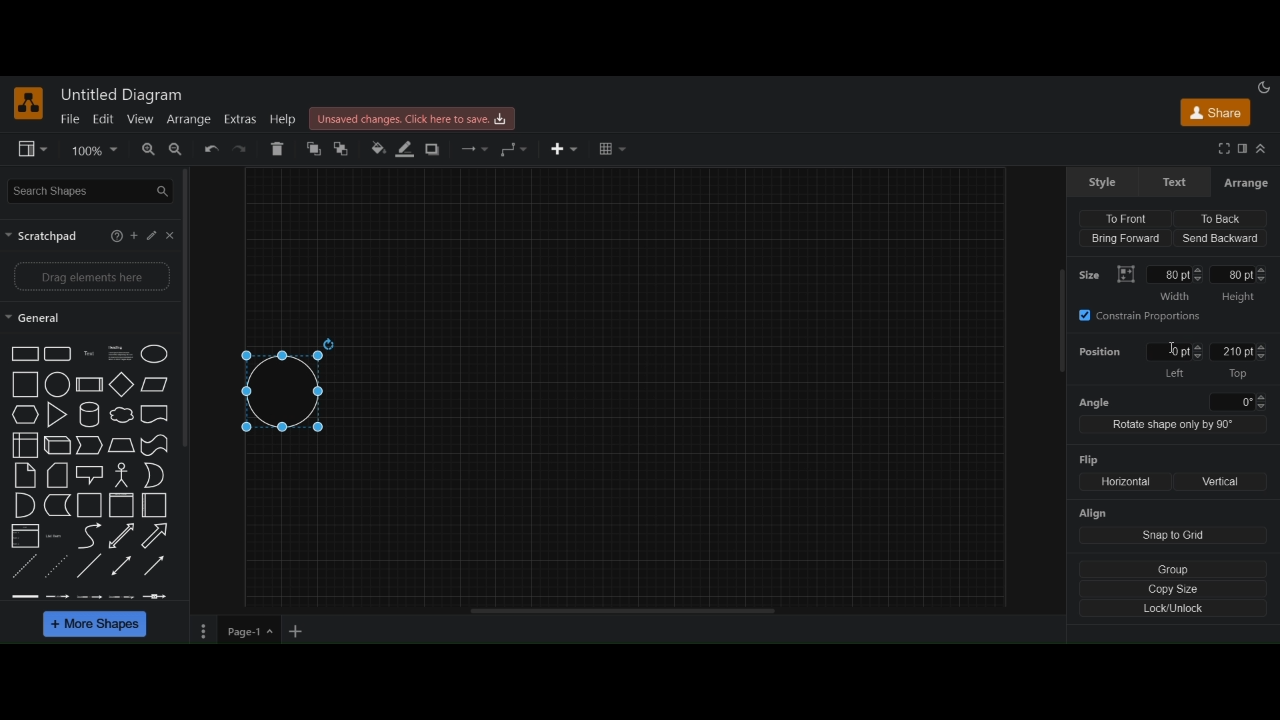 The image size is (1280, 720). I want to click on Cylinder, so click(91, 416).